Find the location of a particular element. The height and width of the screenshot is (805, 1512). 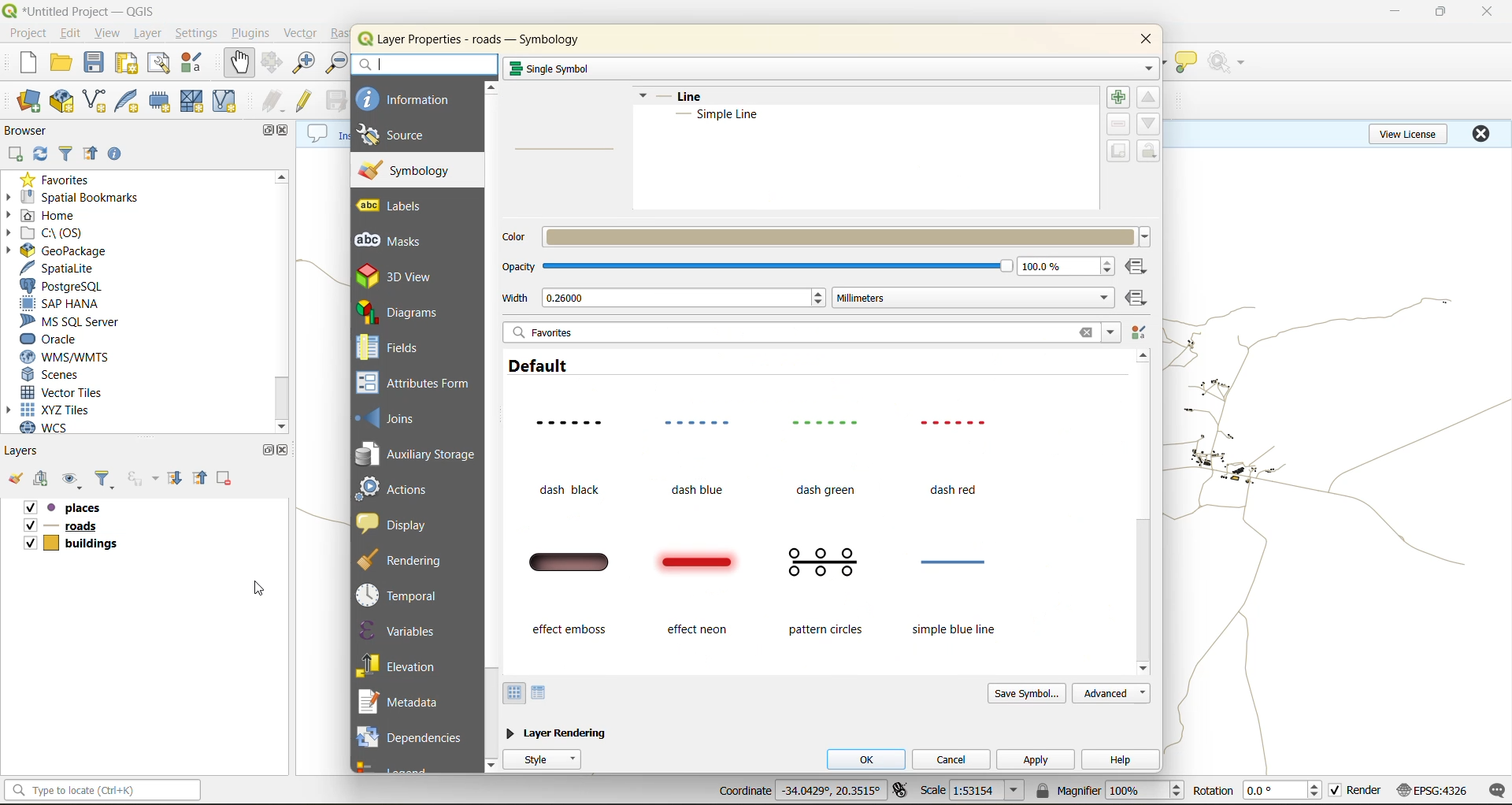

layers is located at coordinates (28, 454).